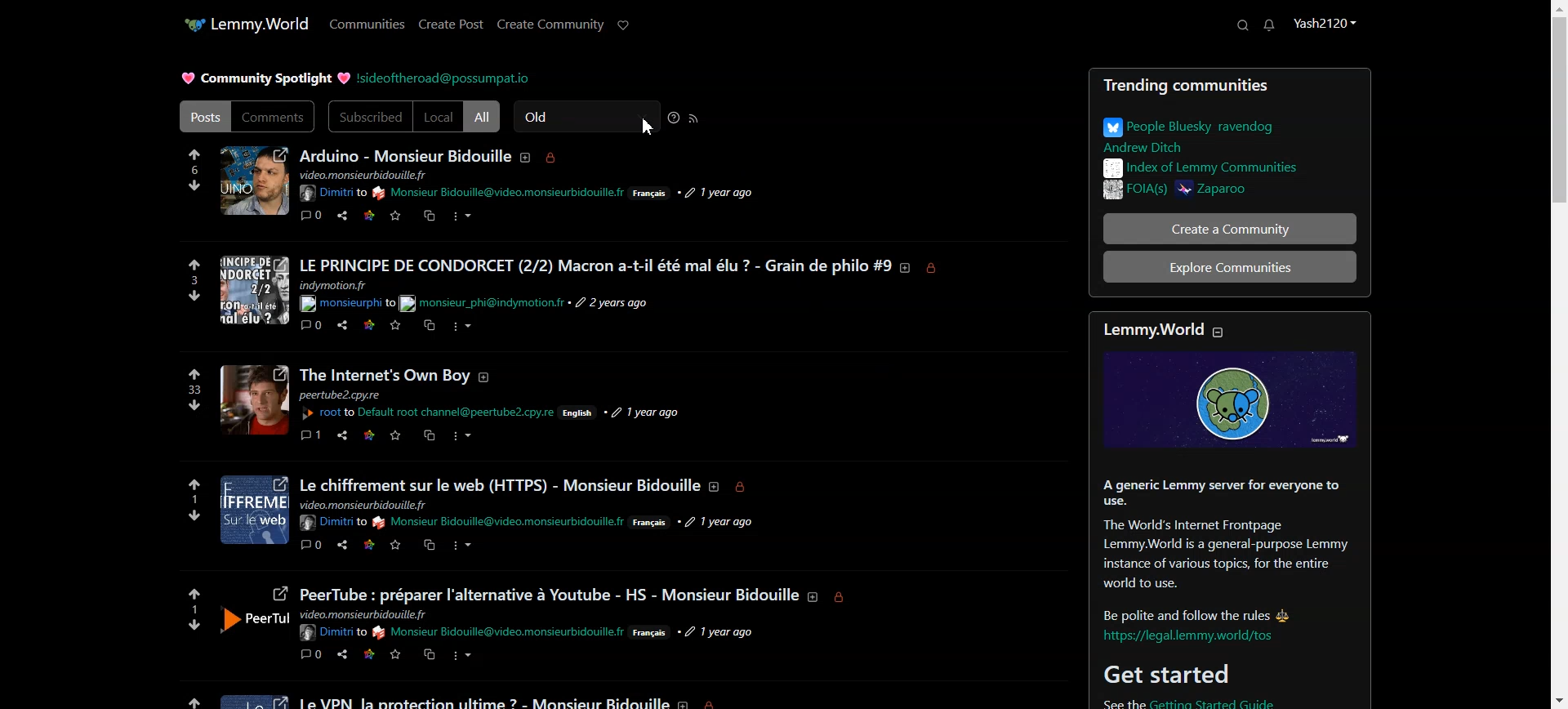 This screenshot has width=1568, height=709. Describe the element at coordinates (191, 611) in the screenshot. I see `1` at that location.